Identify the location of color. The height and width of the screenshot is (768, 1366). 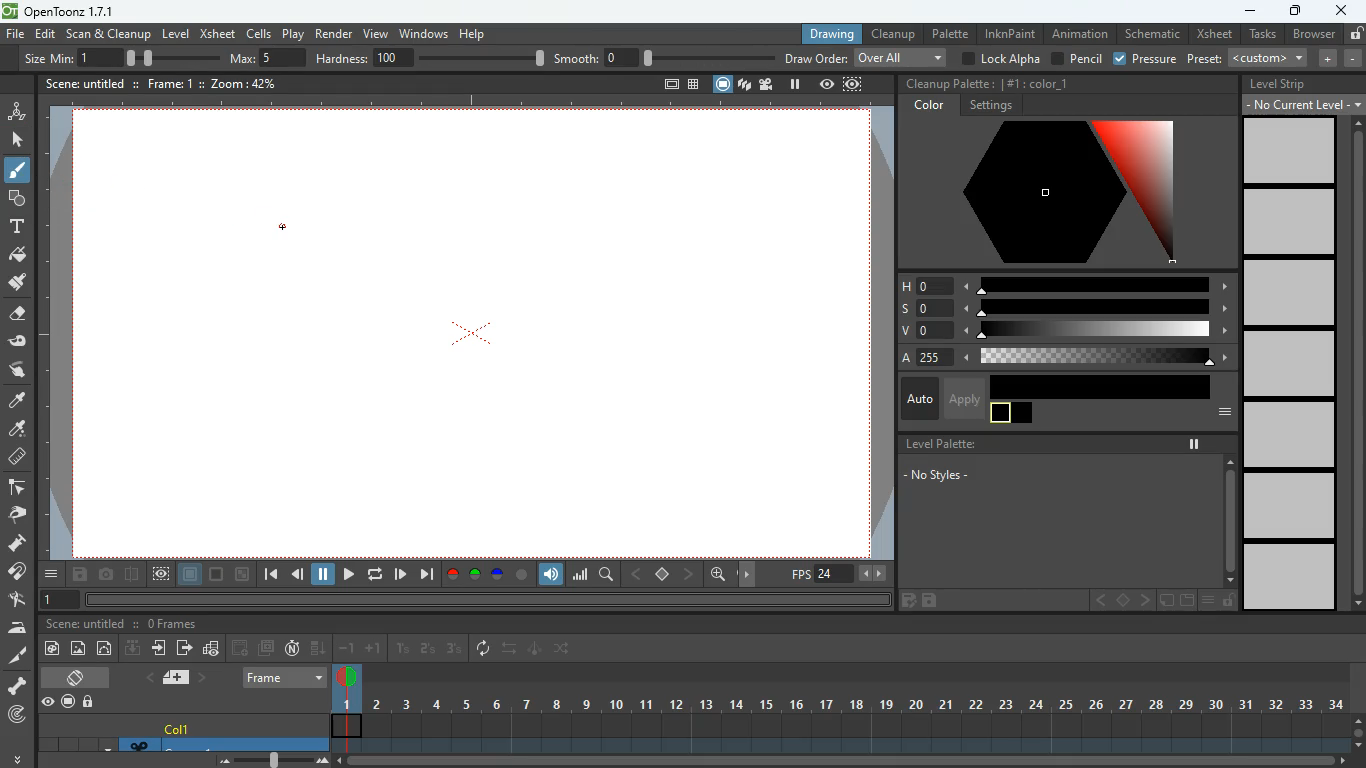
(218, 575).